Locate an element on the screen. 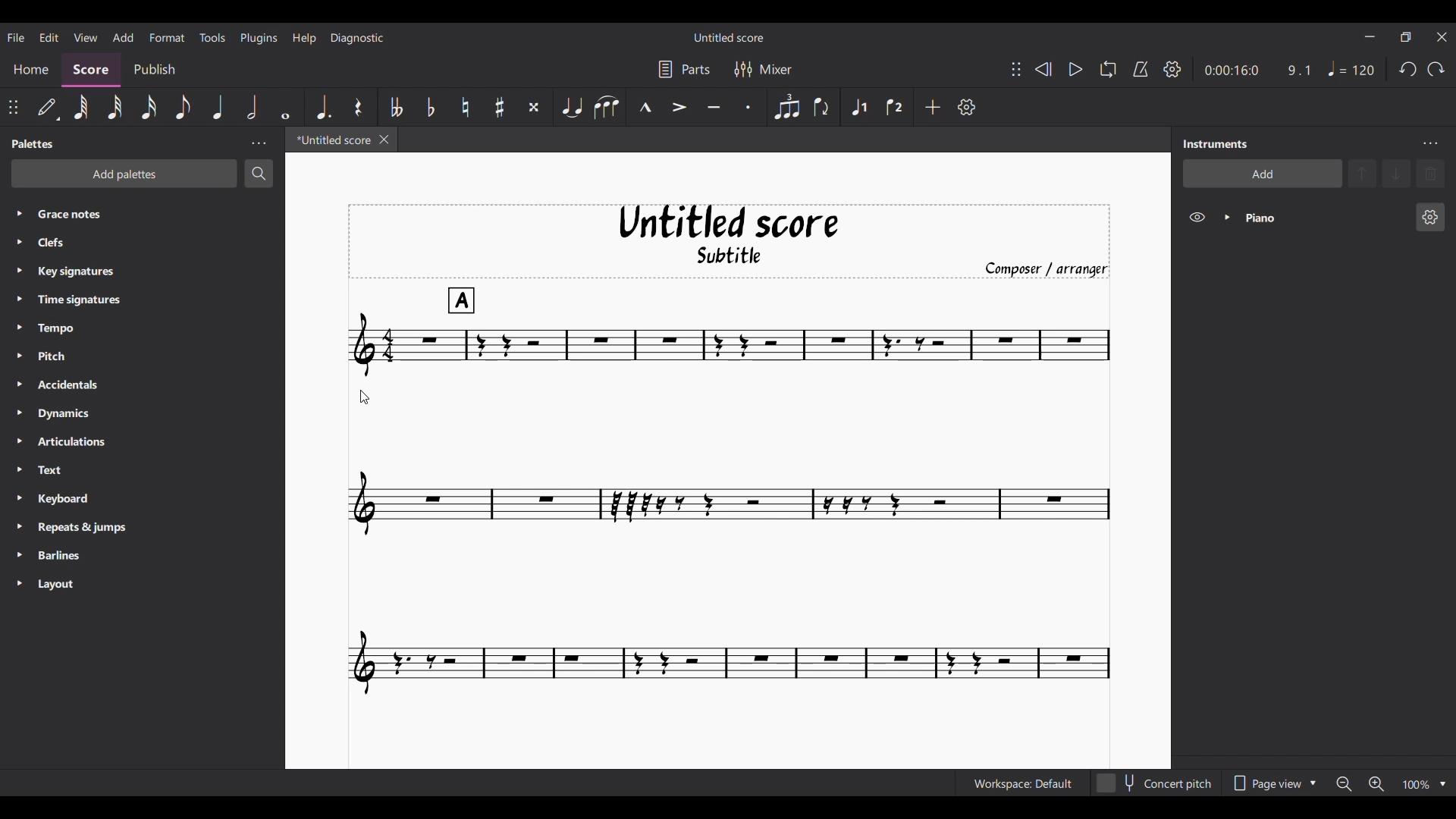 This screenshot has height=819, width=1456. Piano settings is located at coordinates (1430, 217).